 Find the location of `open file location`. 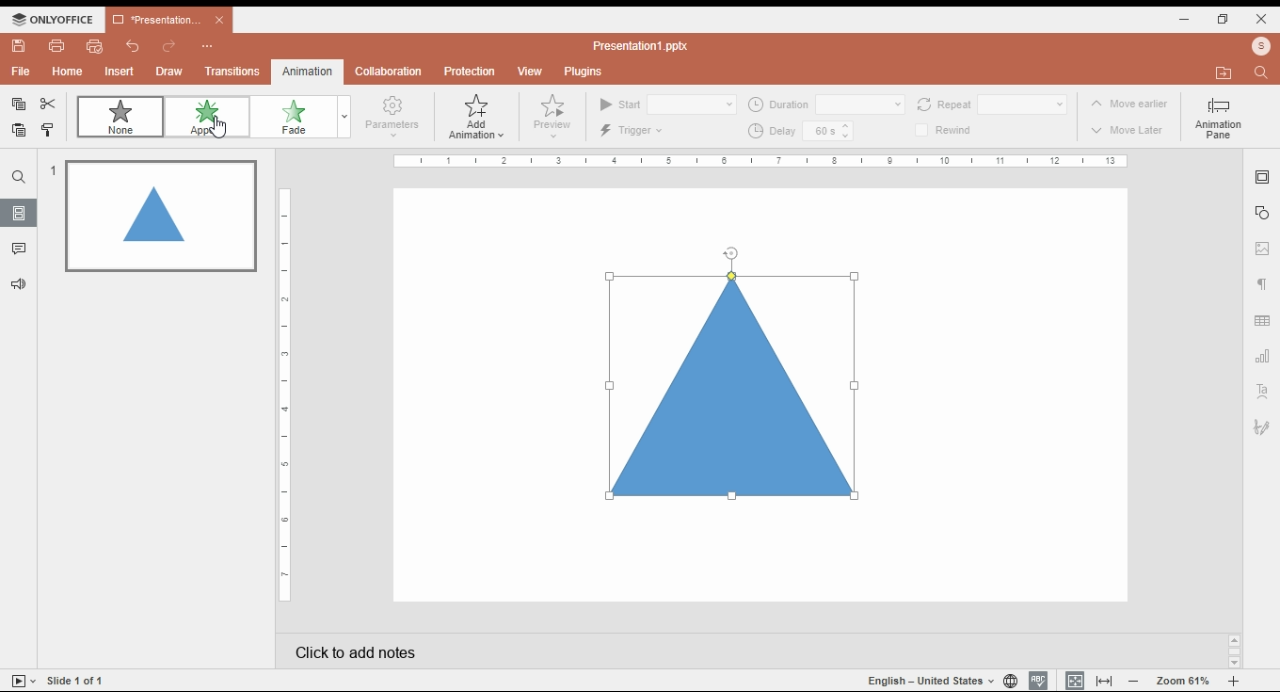

open file location is located at coordinates (1223, 74).